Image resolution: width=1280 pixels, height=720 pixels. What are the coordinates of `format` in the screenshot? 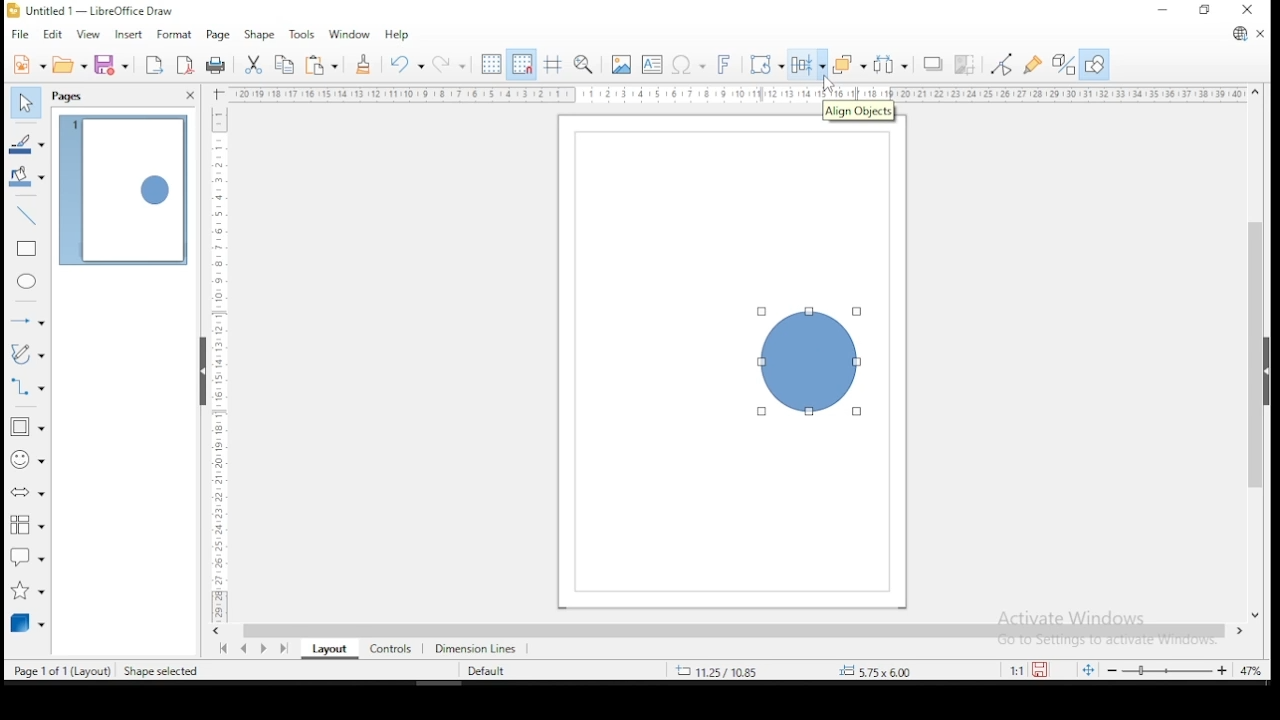 It's located at (172, 32).